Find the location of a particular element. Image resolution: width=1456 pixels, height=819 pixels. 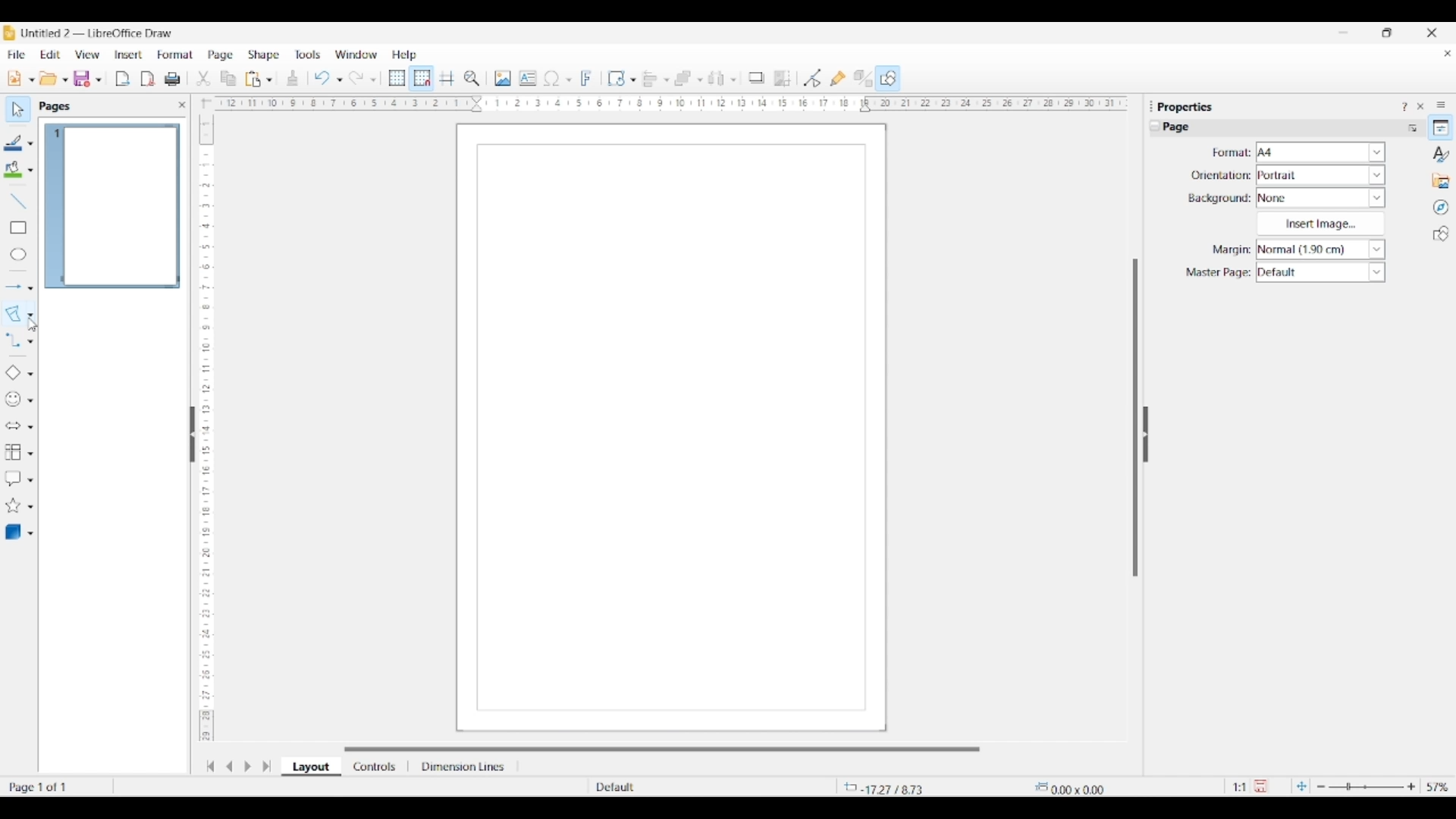

Callout shape options is located at coordinates (30, 480).